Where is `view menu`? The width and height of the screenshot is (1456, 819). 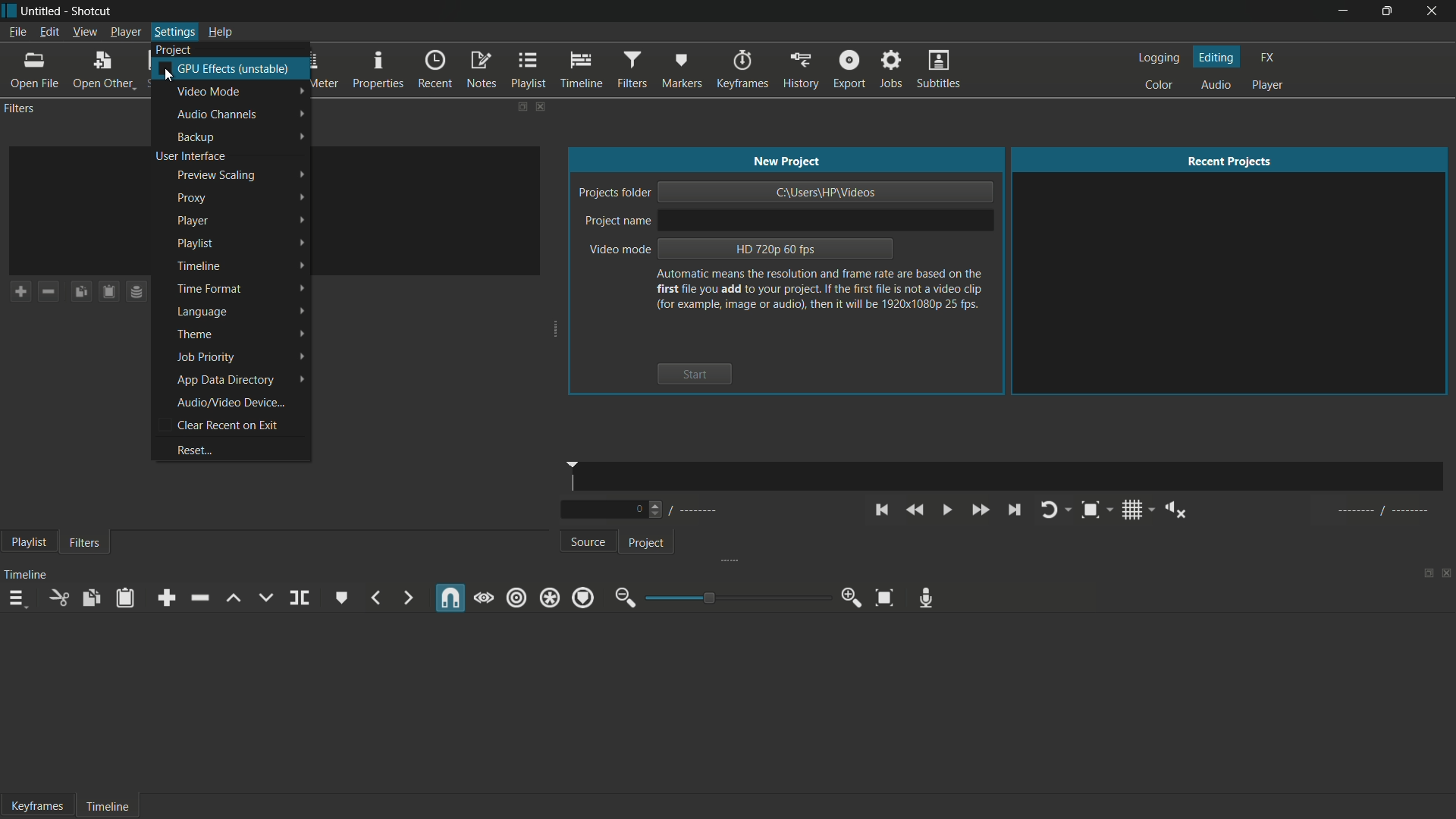 view menu is located at coordinates (84, 33).